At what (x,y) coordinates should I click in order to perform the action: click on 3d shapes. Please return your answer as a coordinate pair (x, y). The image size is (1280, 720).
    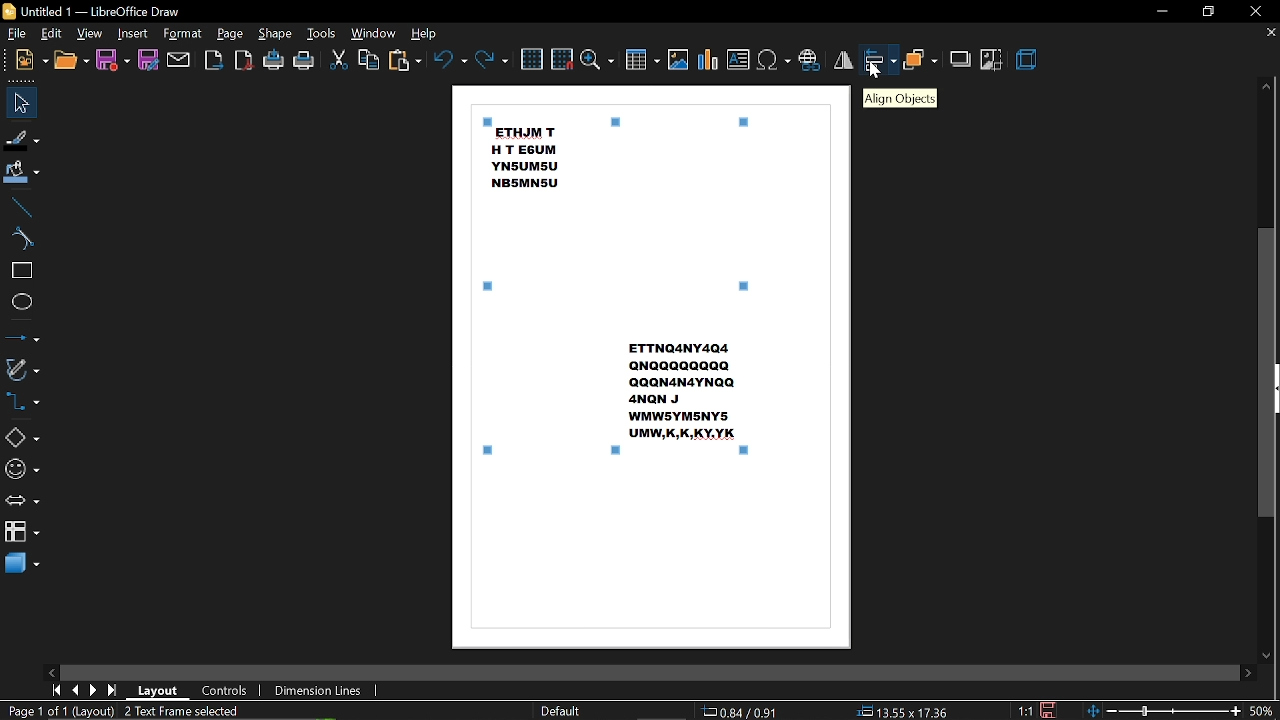
    Looking at the image, I should click on (22, 565).